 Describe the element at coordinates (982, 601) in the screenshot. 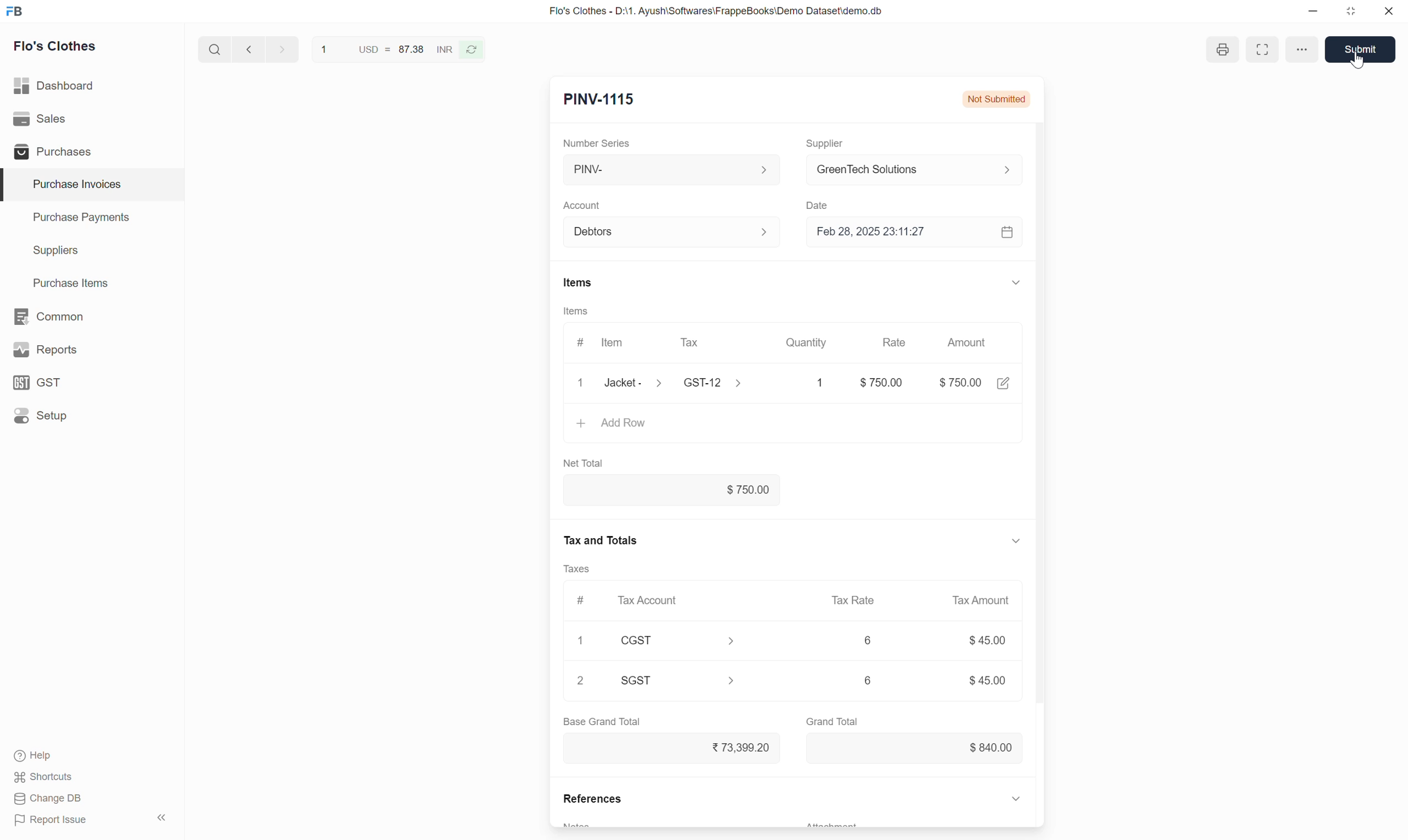

I see `Tax Amount` at that location.